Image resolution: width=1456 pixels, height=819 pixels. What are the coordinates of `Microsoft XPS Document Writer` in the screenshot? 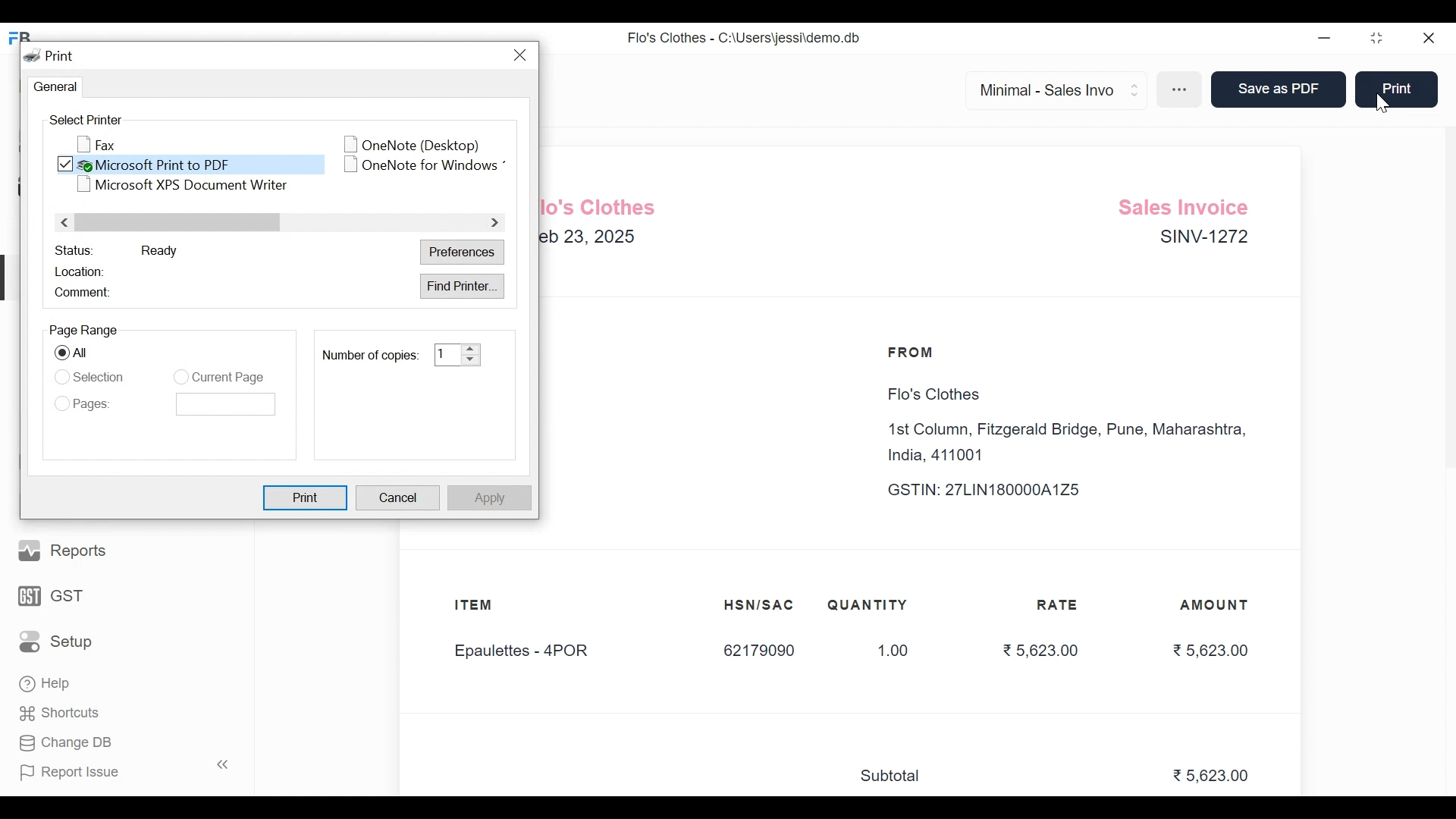 It's located at (180, 185).